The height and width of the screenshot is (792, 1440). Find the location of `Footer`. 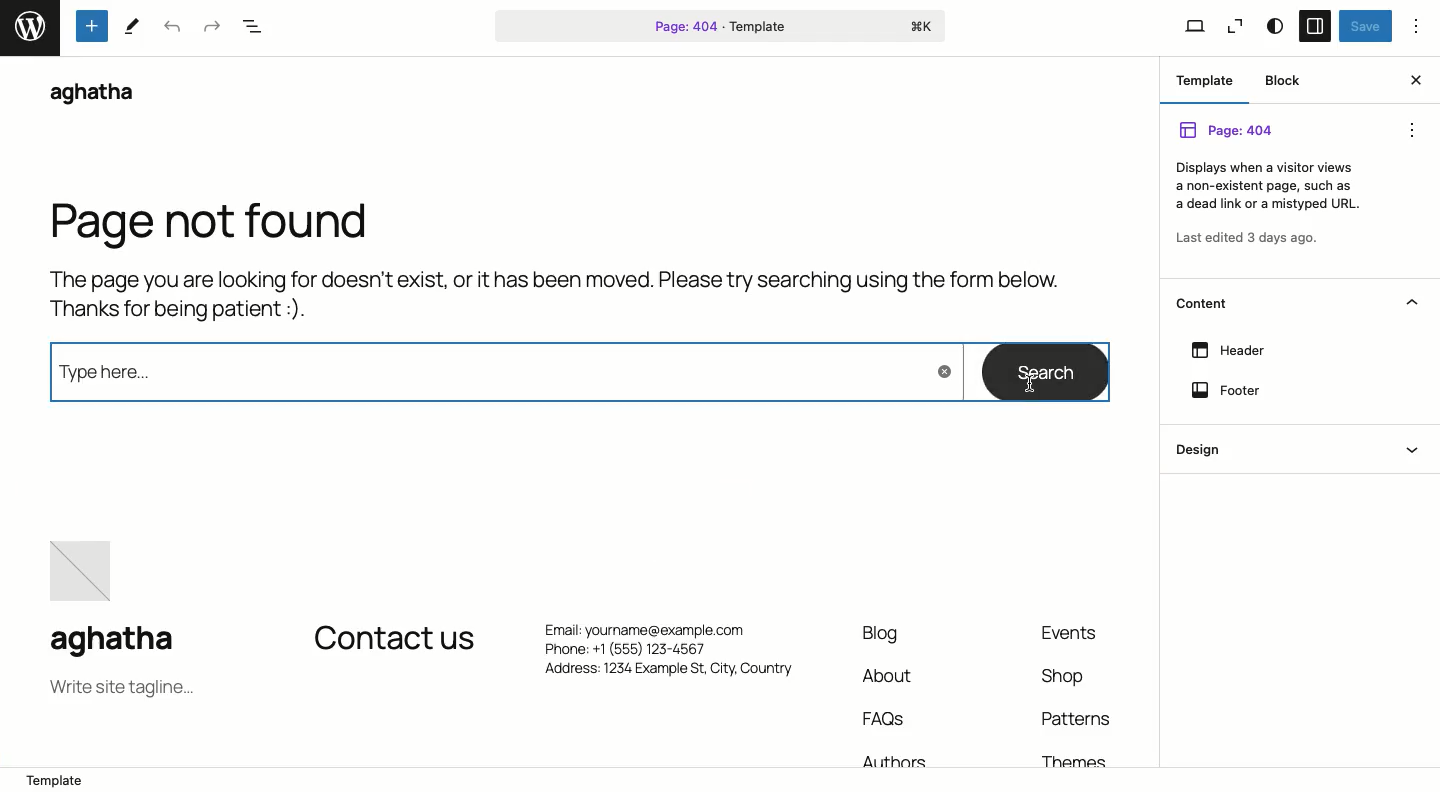

Footer is located at coordinates (1224, 389).